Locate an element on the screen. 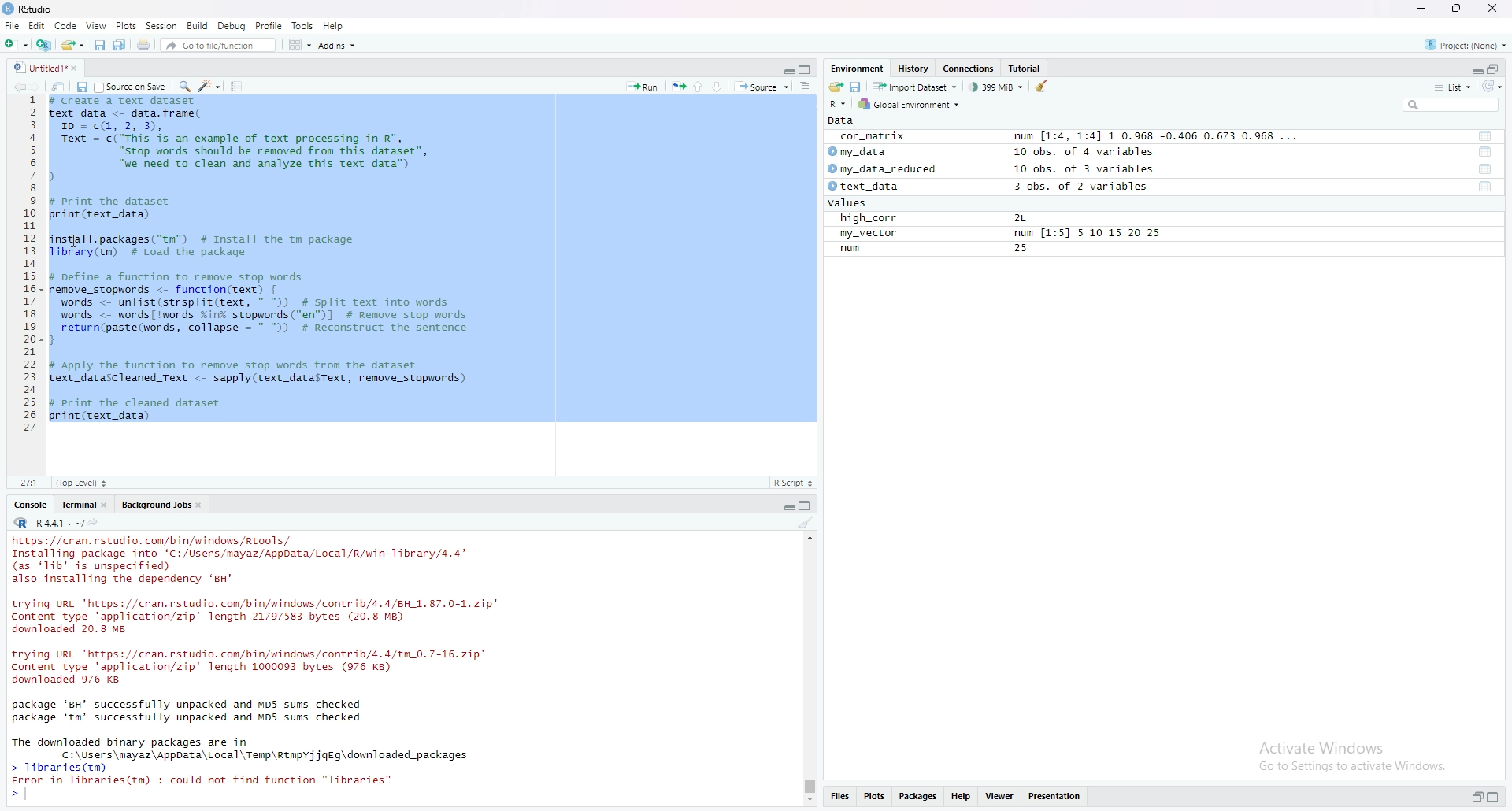 Image resolution: width=1512 pixels, height=811 pixels. session is located at coordinates (161, 25).